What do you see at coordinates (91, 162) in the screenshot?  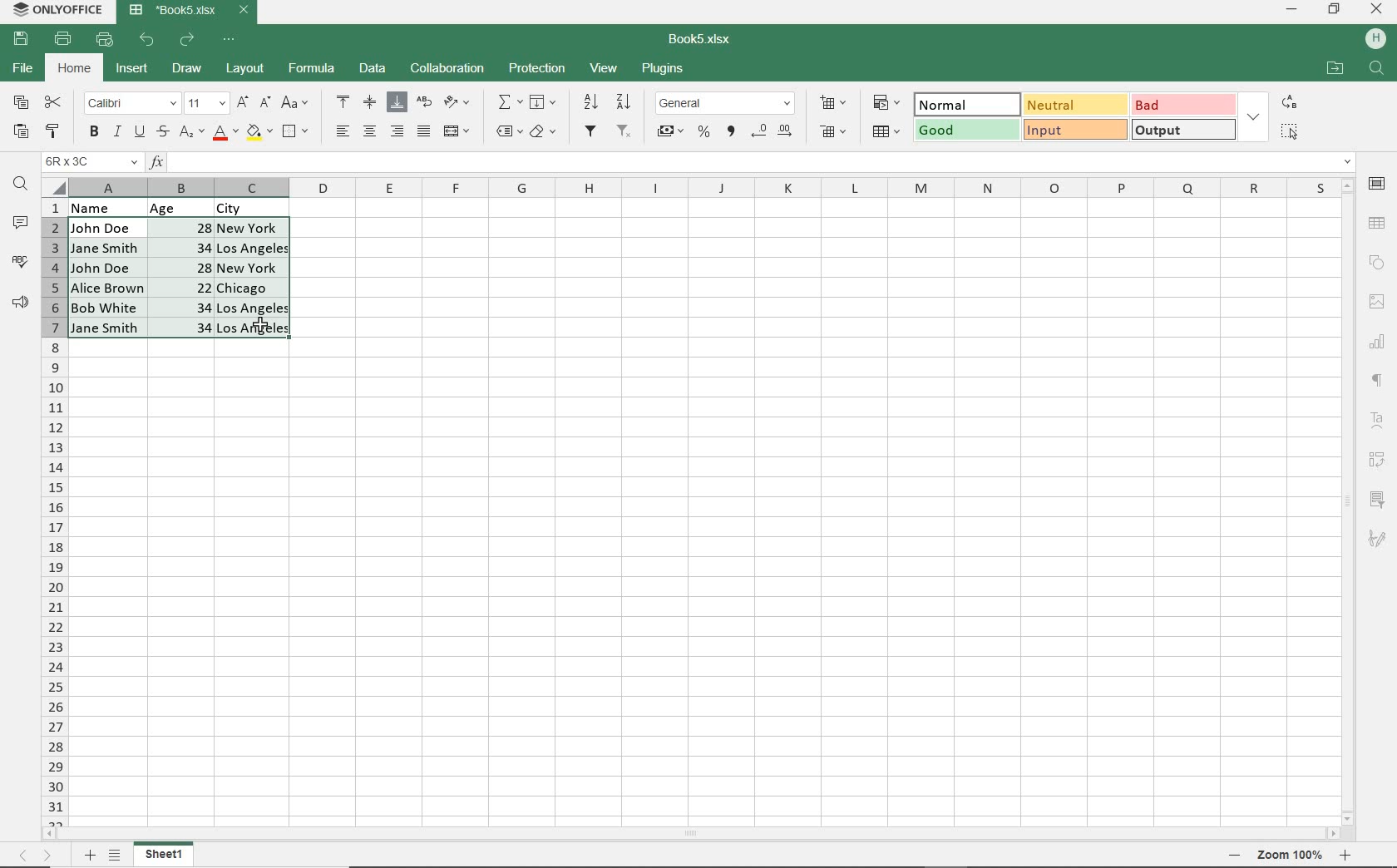 I see `NAME MANAGER` at bounding box center [91, 162].